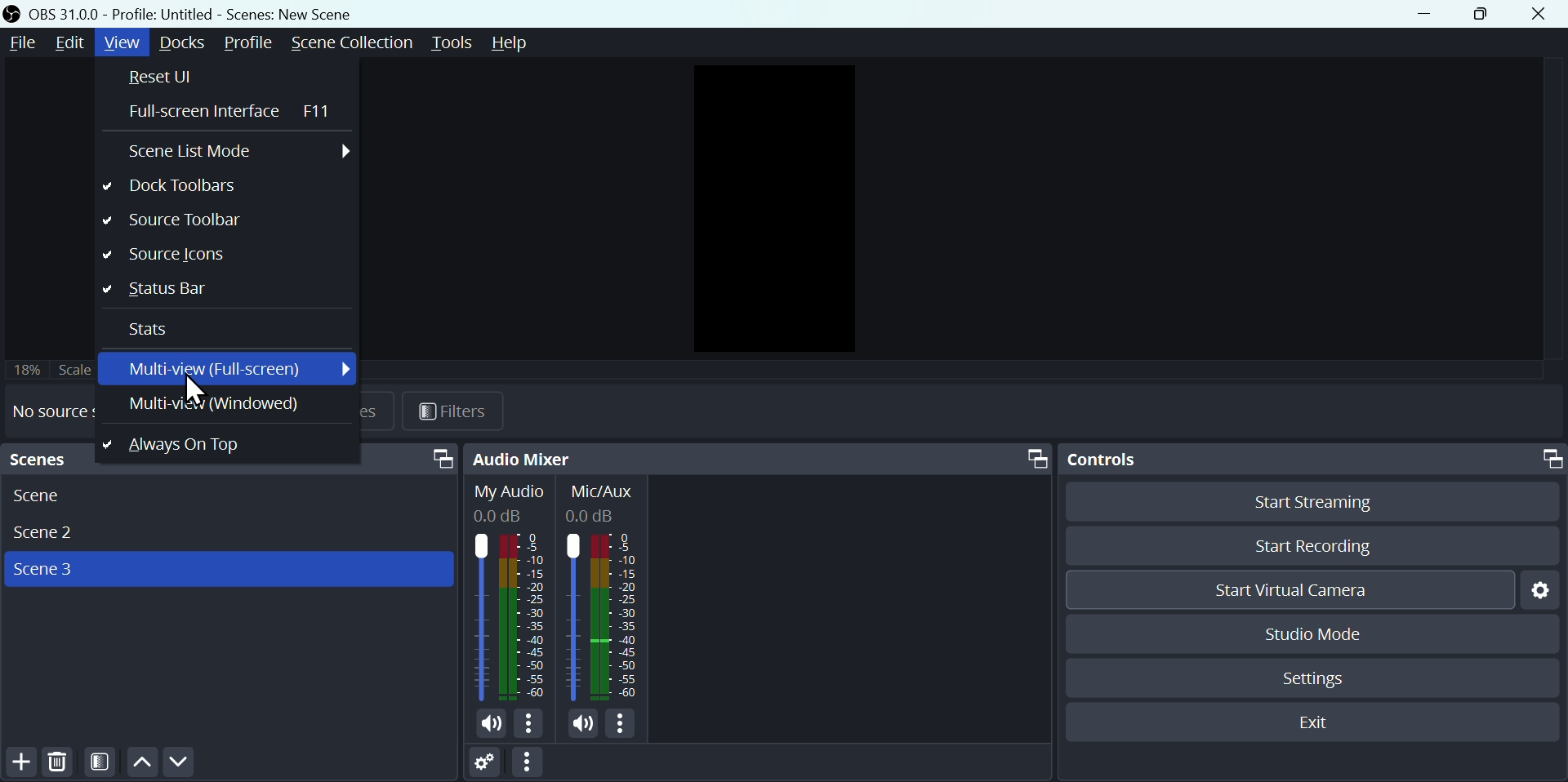  I want to click on , so click(1424, 13).